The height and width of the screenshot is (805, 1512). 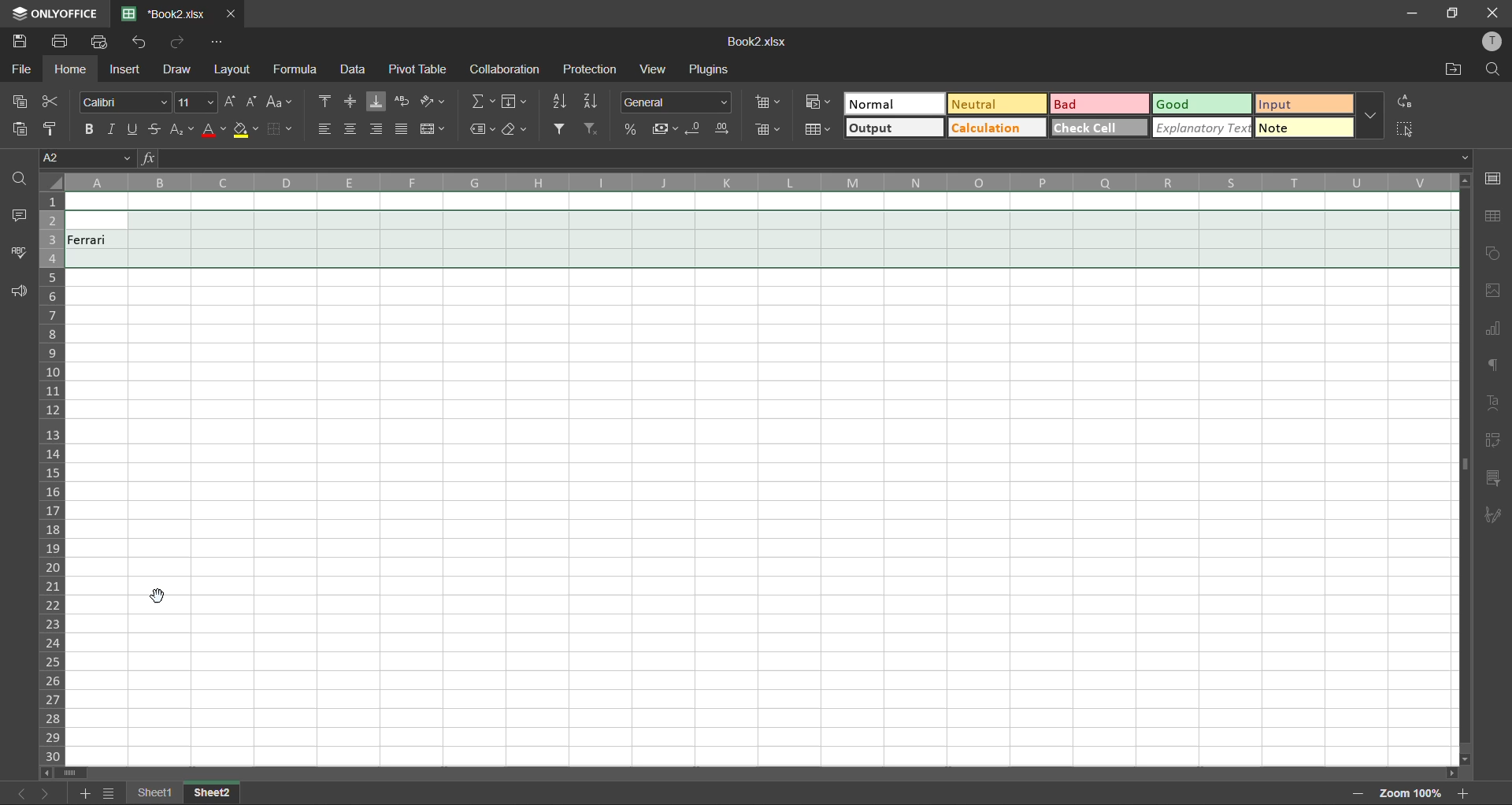 What do you see at coordinates (1354, 795) in the screenshot?
I see `zoom out` at bounding box center [1354, 795].